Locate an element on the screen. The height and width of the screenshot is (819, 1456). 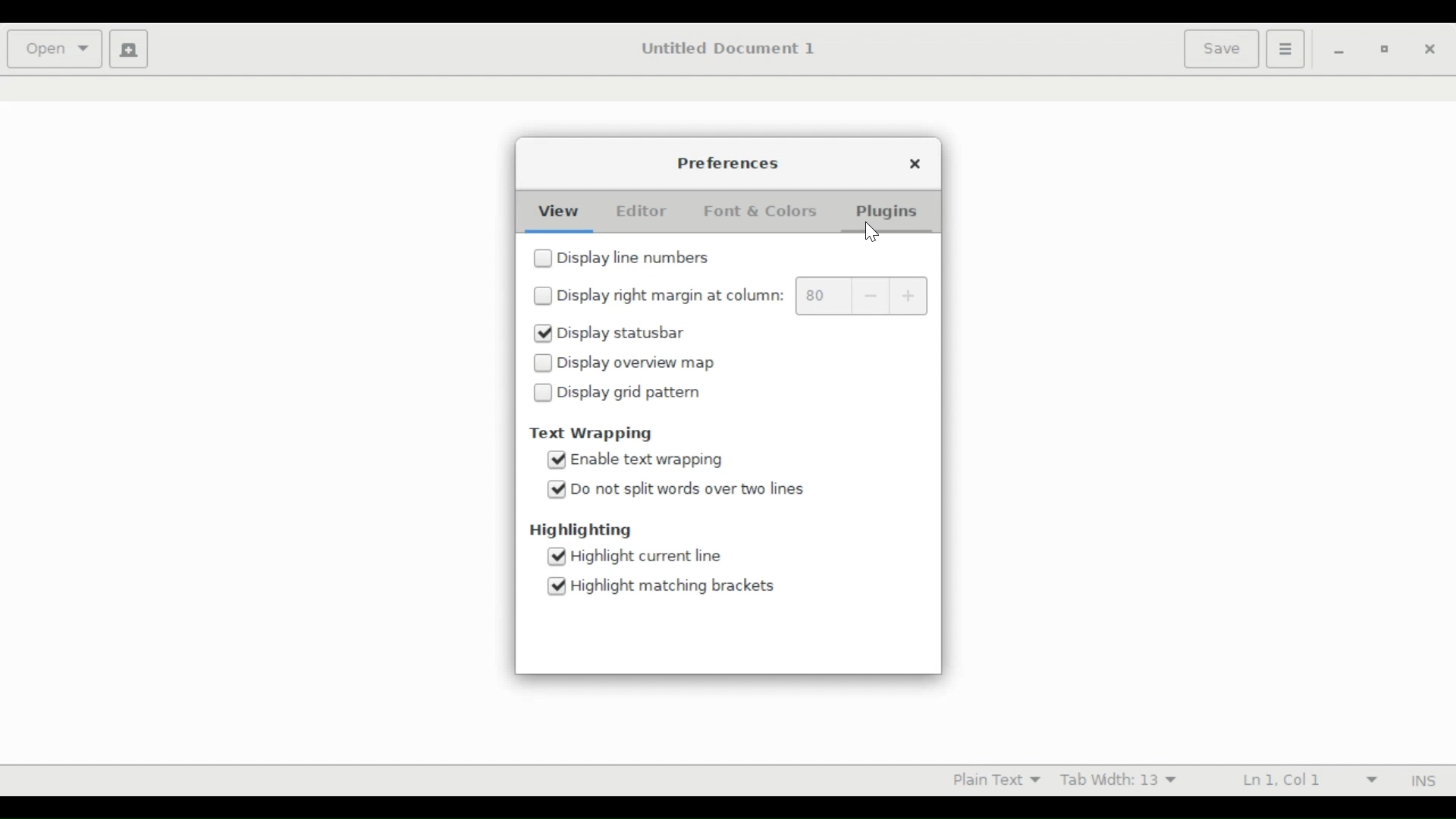
Application menu is located at coordinates (1285, 49).